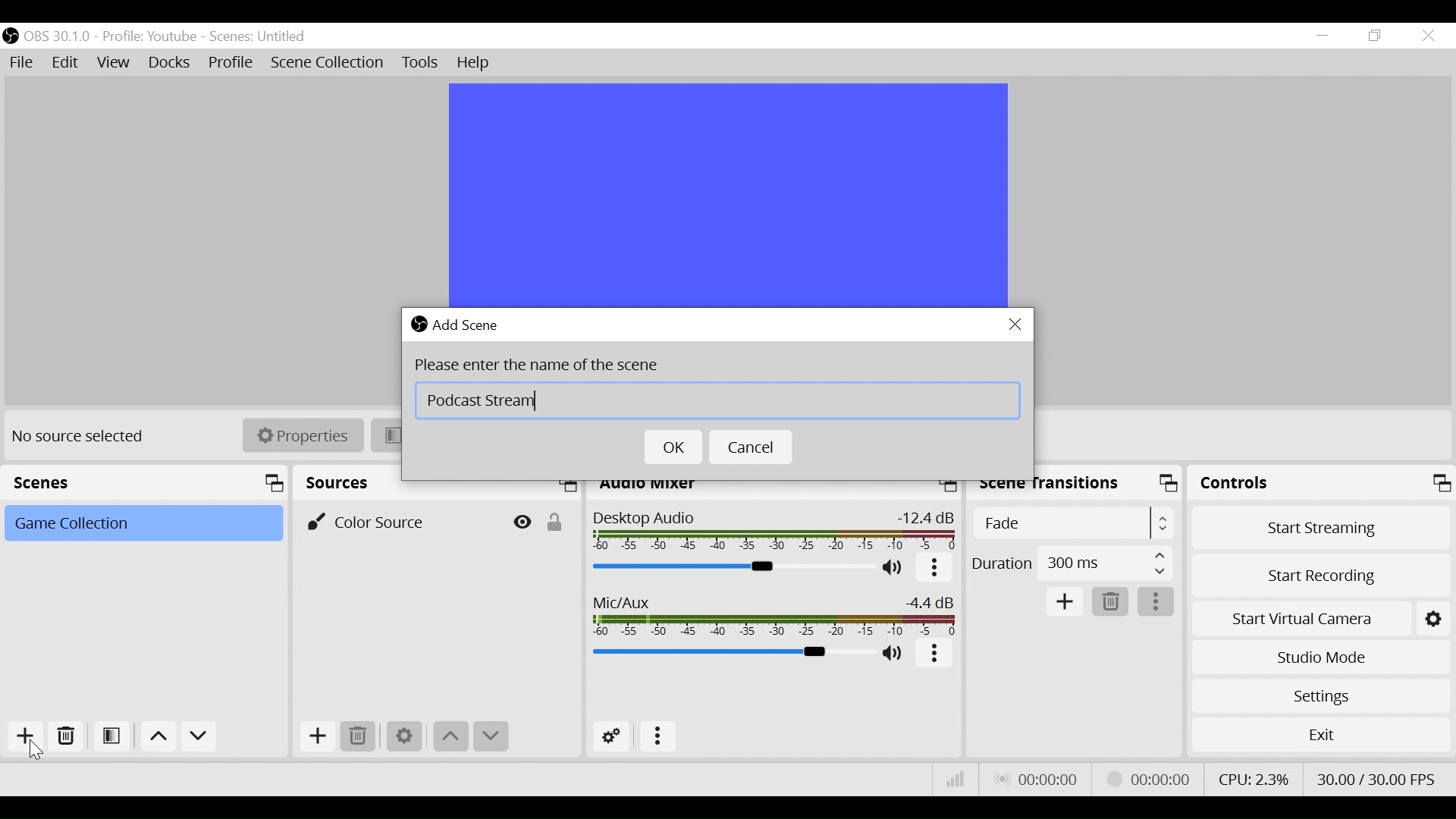  What do you see at coordinates (1253, 777) in the screenshot?
I see `CPU Usage` at bounding box center [1253, 777].